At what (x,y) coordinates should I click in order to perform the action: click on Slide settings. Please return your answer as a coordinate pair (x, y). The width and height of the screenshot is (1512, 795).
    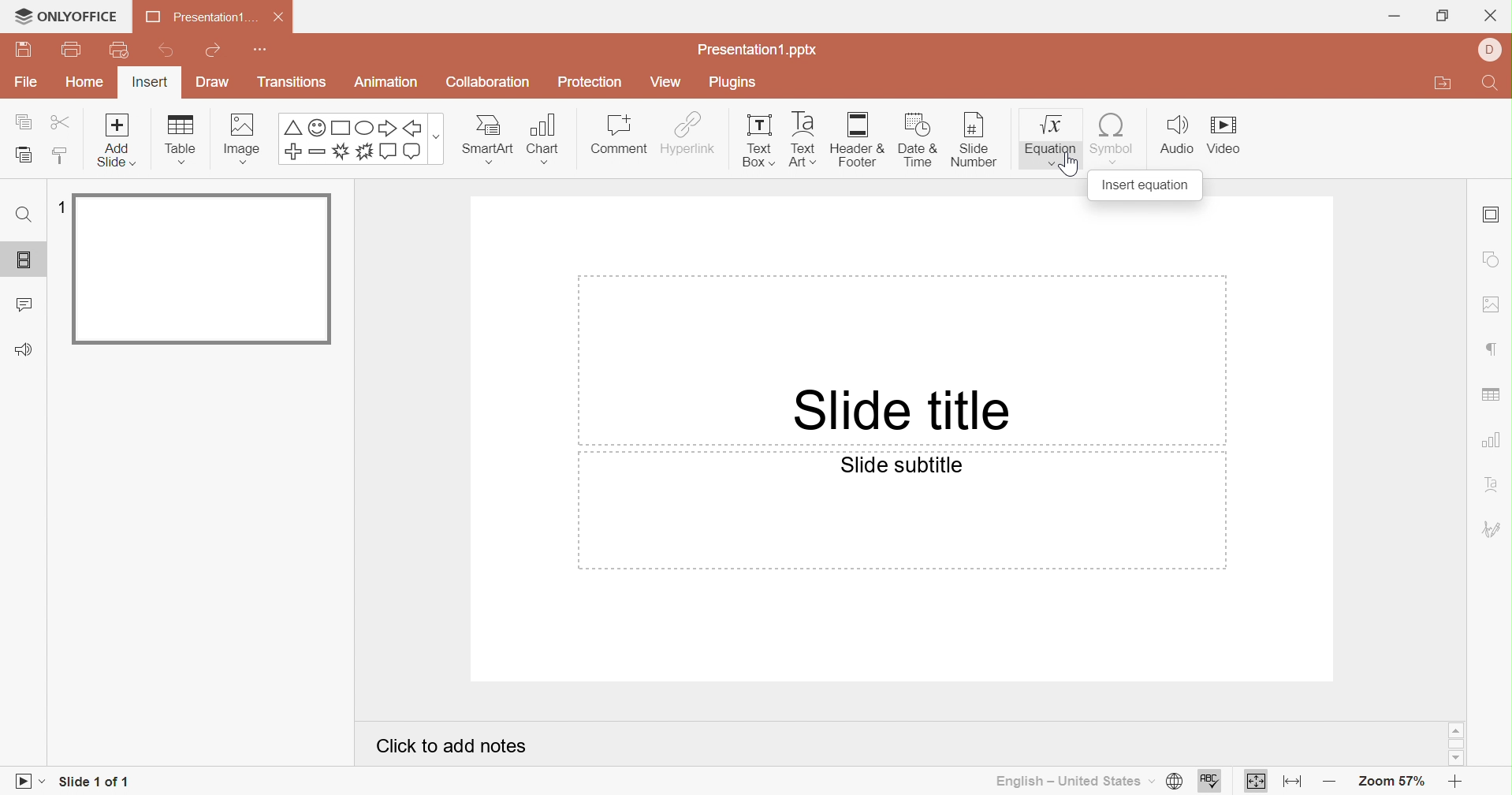
    Looking at the image, I should click on (1492, 212).